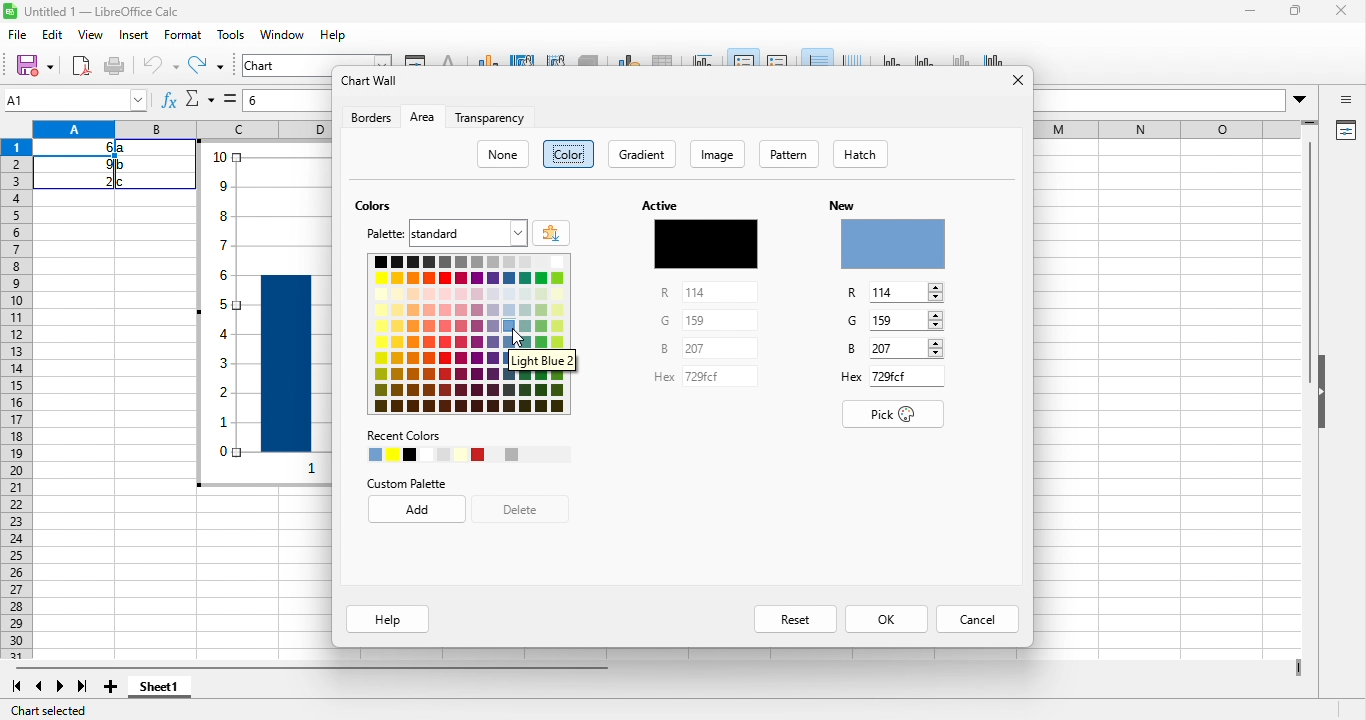 Image resolution: width=1366 pixels, height=720 pixels. I want to click on G, so click(661, 319).